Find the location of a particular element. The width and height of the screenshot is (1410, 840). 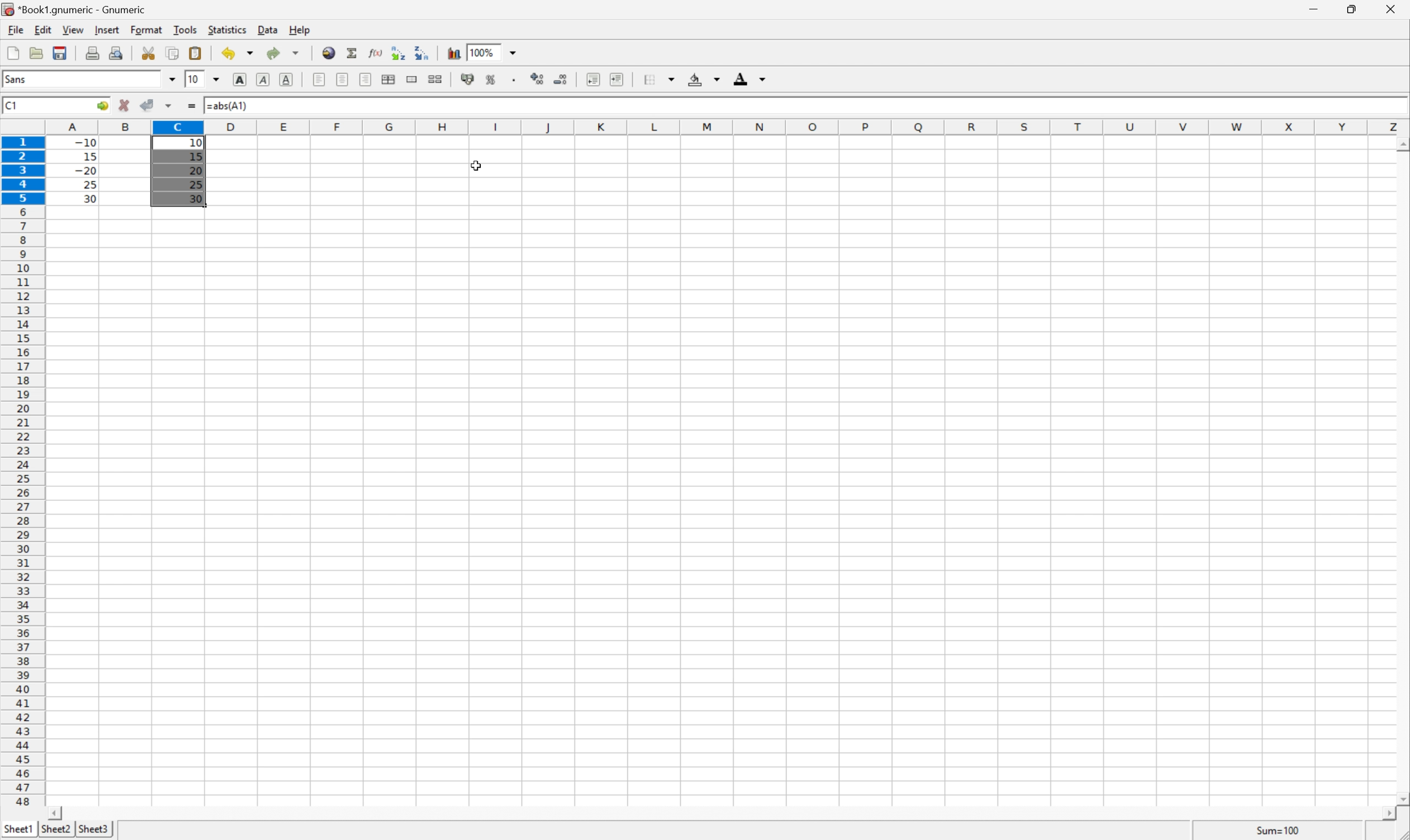

Borders is located at coordinates (647, 79).